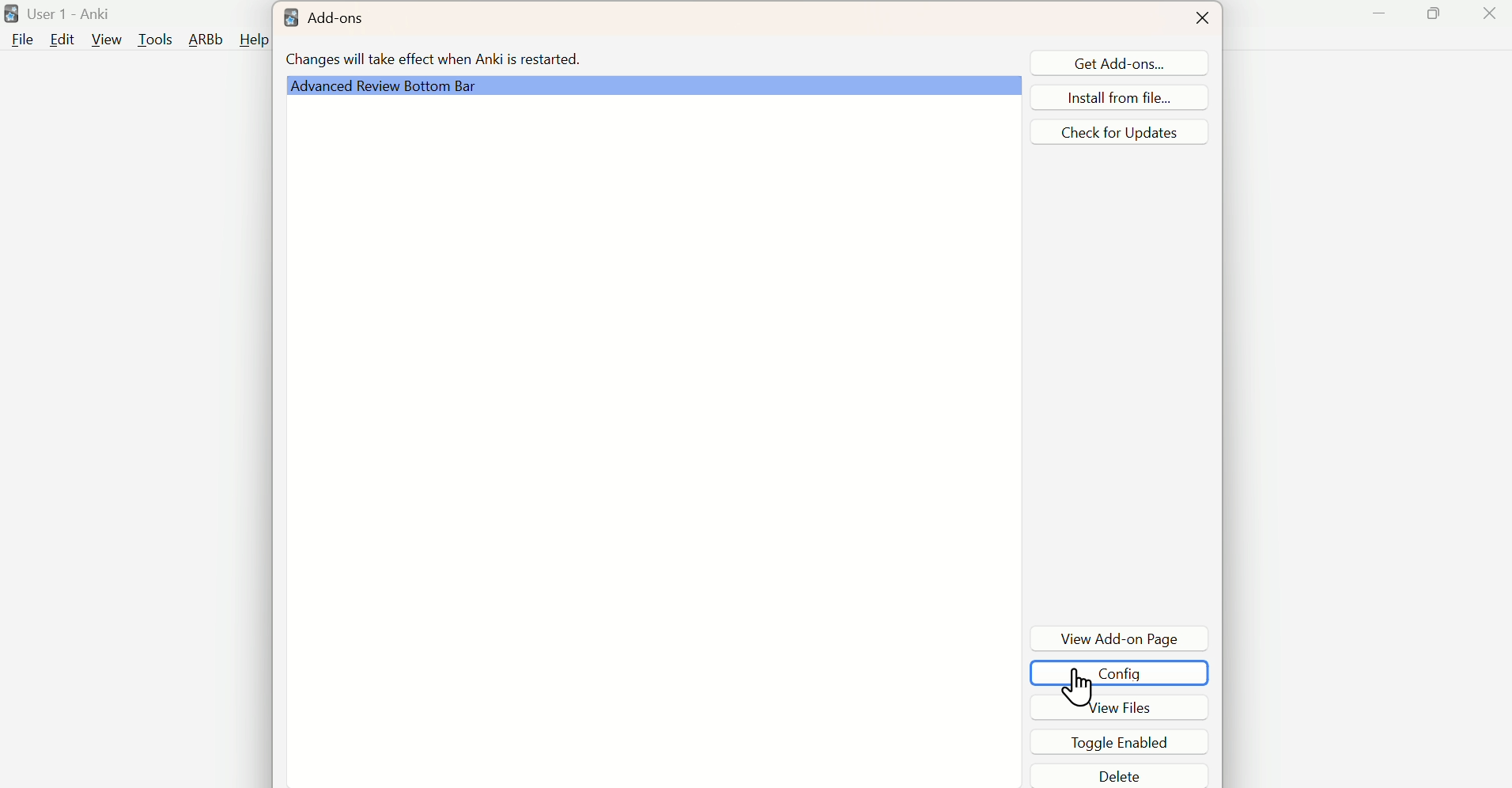  I want to click on Get Add-ons..., so click(1114, 63).